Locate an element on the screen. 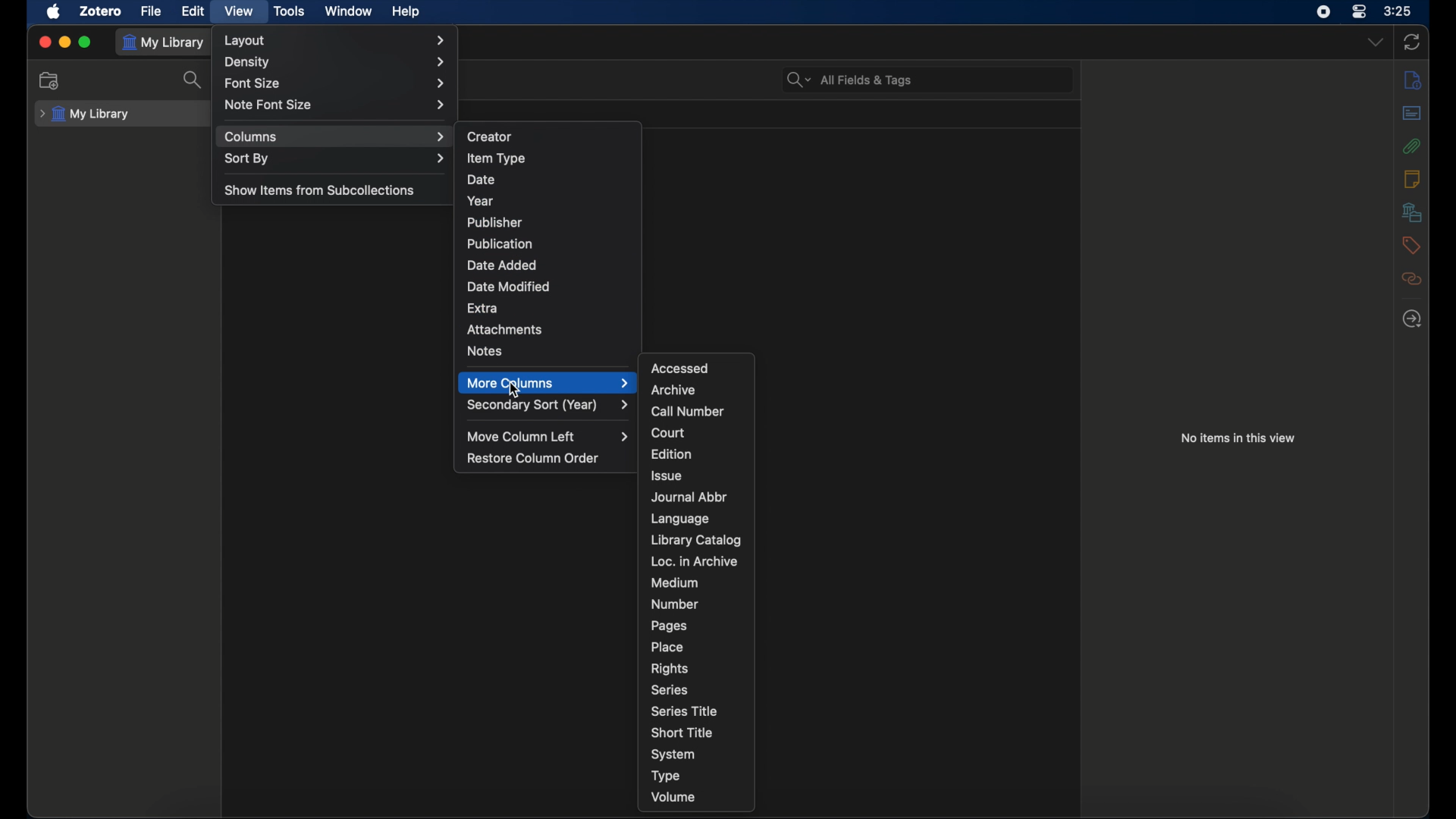 The width and height of the screenshot is (1456, 819). court is located at coordinates (668, 432).